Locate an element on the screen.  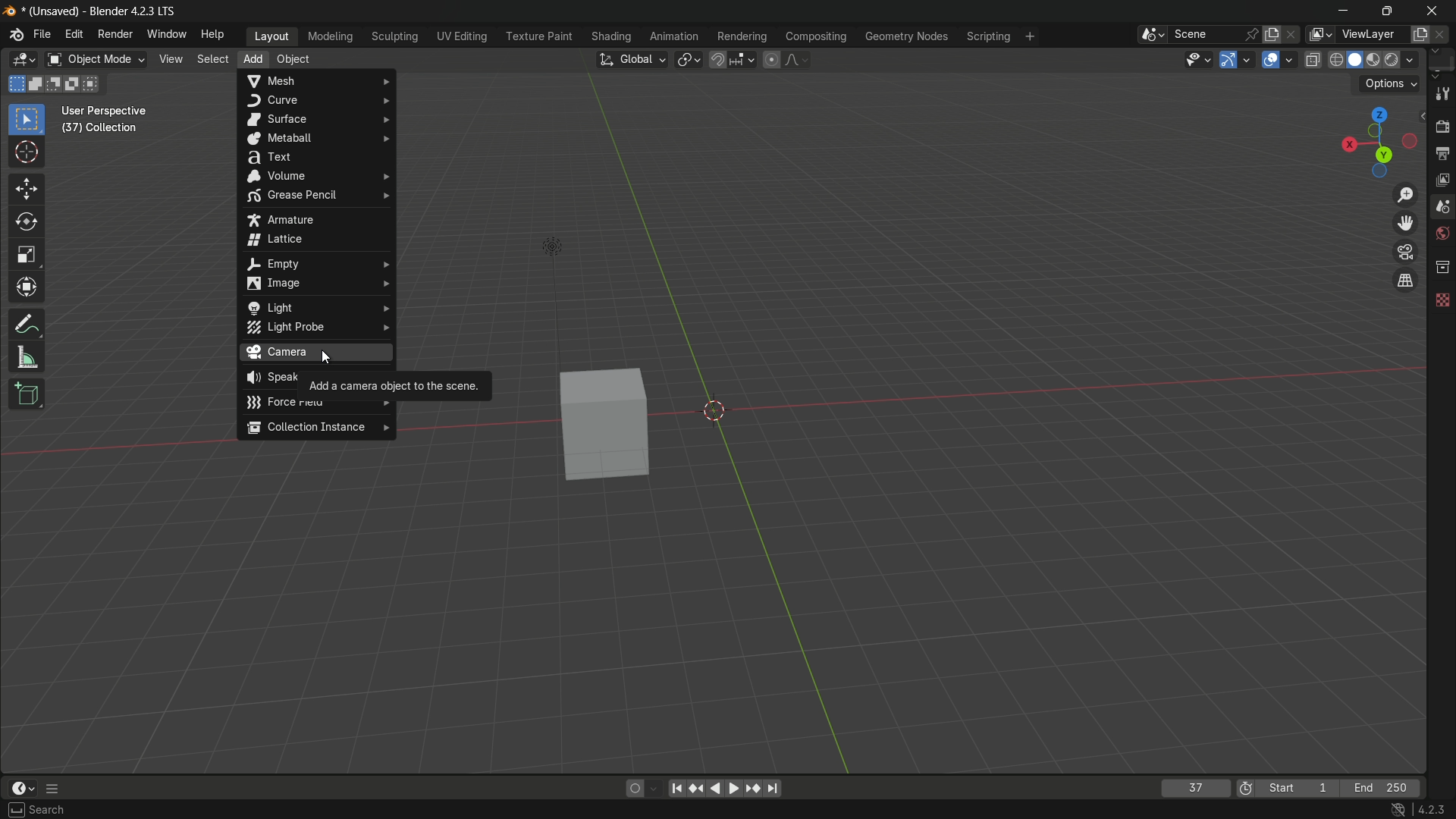
metaball is located at coordinates (318, 139).